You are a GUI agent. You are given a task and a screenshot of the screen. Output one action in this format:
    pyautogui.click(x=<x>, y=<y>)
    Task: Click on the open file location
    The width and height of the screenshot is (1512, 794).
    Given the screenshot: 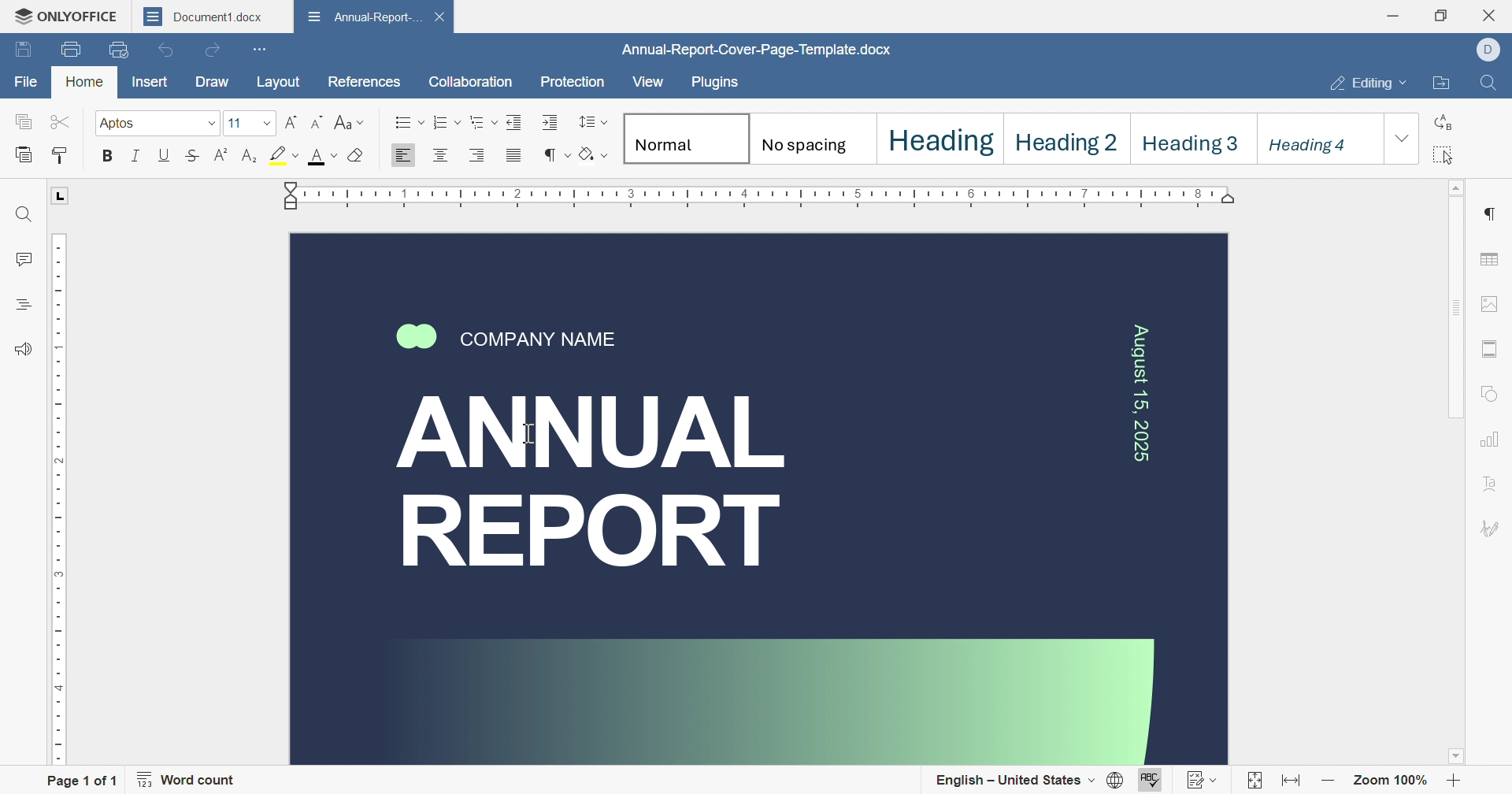 What is the action you would take?
    pyautogui.click(x=1440, y=84)
    